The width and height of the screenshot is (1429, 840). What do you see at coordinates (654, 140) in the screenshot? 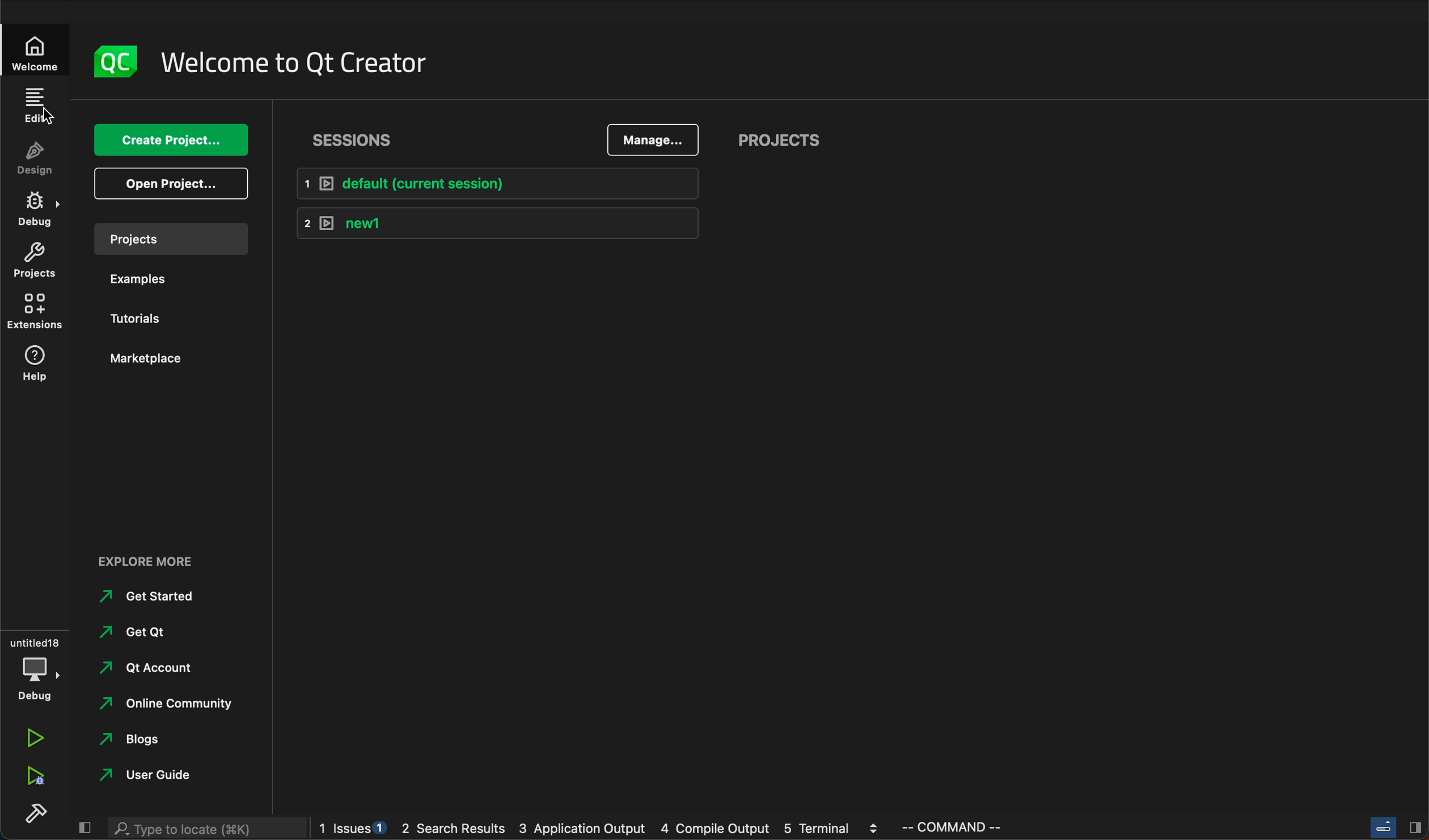
I see `manage` at bounding box center [654, 140].